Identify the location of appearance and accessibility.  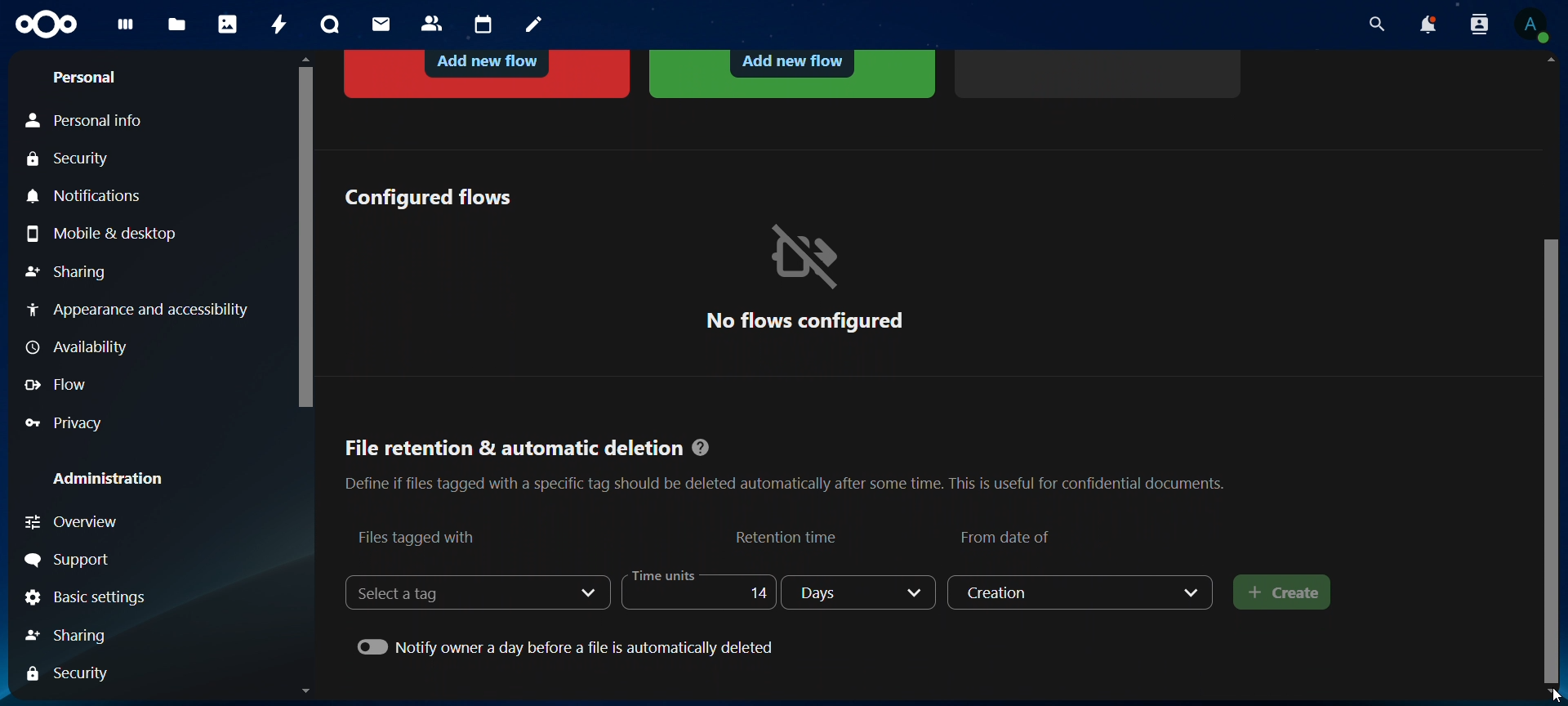
(136, 309).